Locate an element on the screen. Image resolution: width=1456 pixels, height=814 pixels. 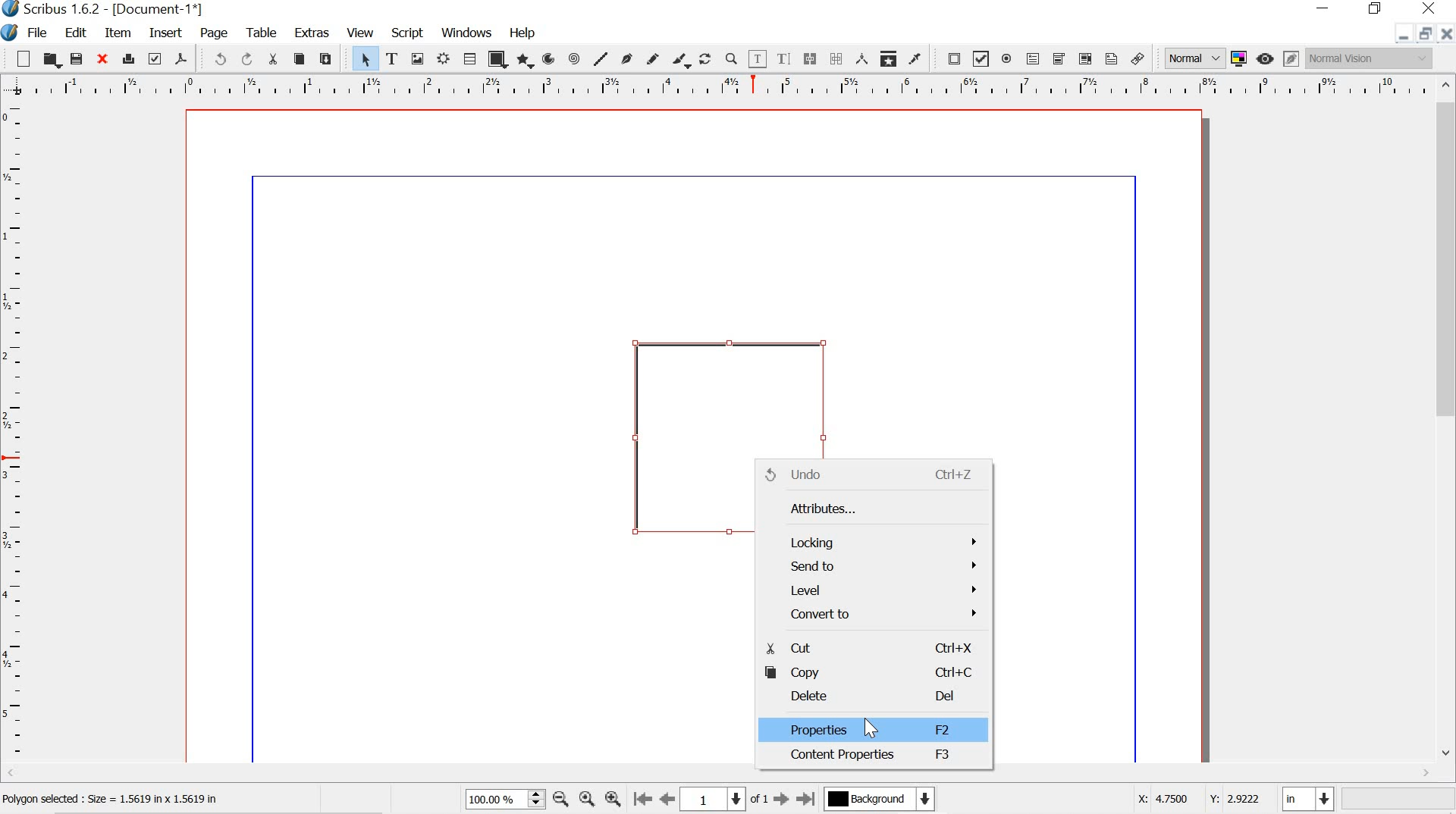
ruler is located at coordinates (14, 433).